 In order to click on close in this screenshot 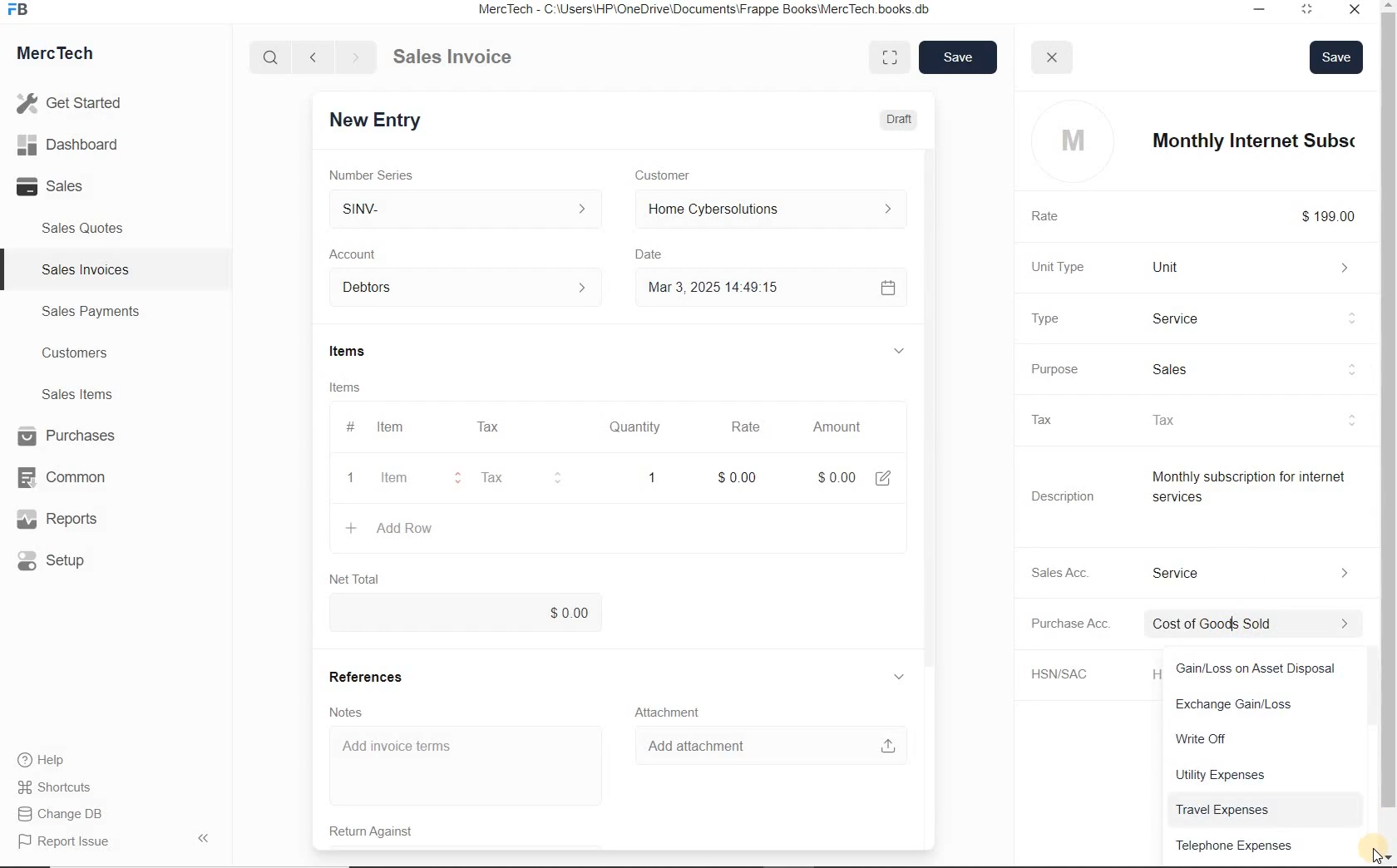, I will do `click(1054, 57)`.